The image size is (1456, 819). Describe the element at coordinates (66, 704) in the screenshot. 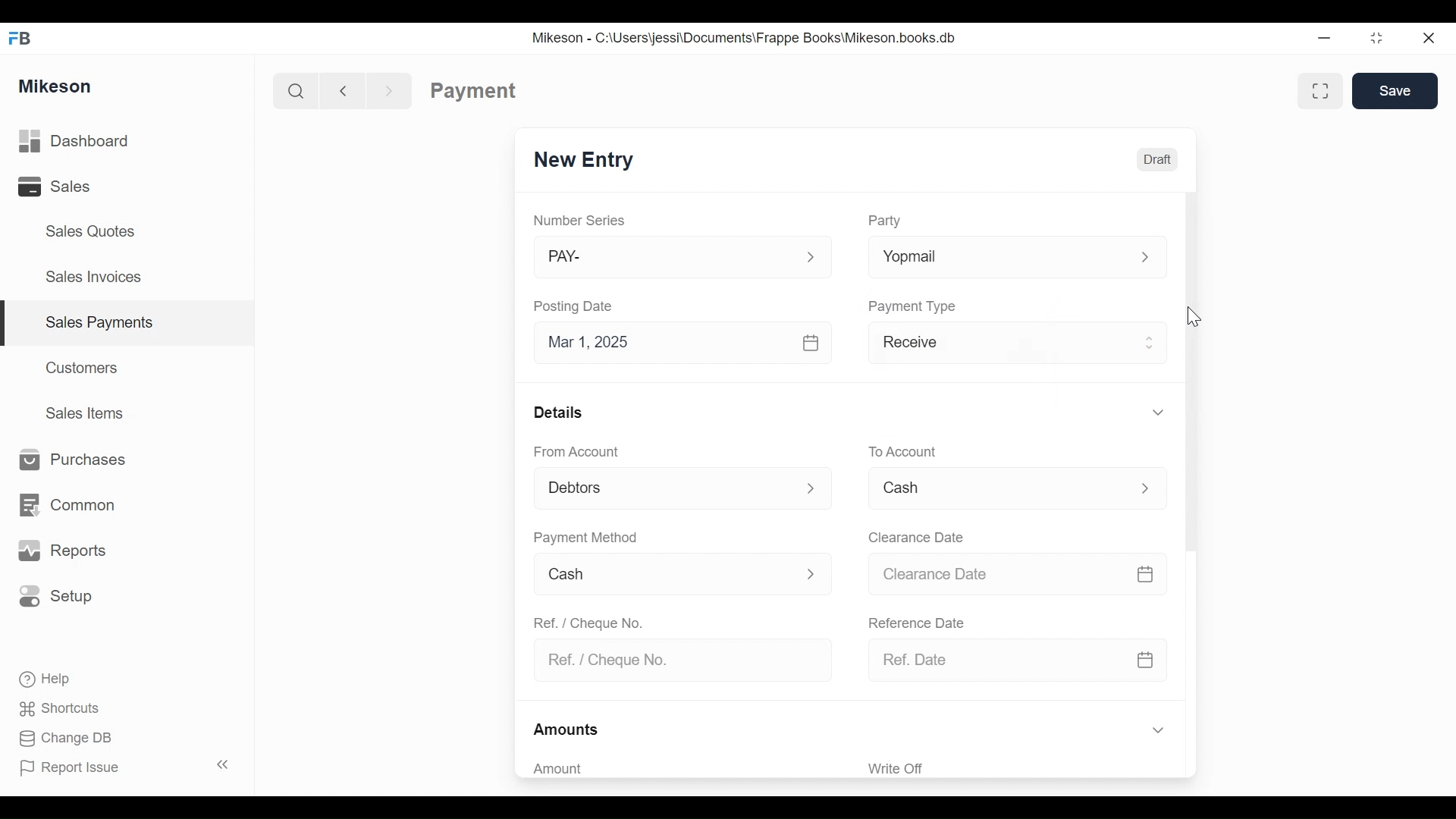

I see `Shortcuts` at that location.